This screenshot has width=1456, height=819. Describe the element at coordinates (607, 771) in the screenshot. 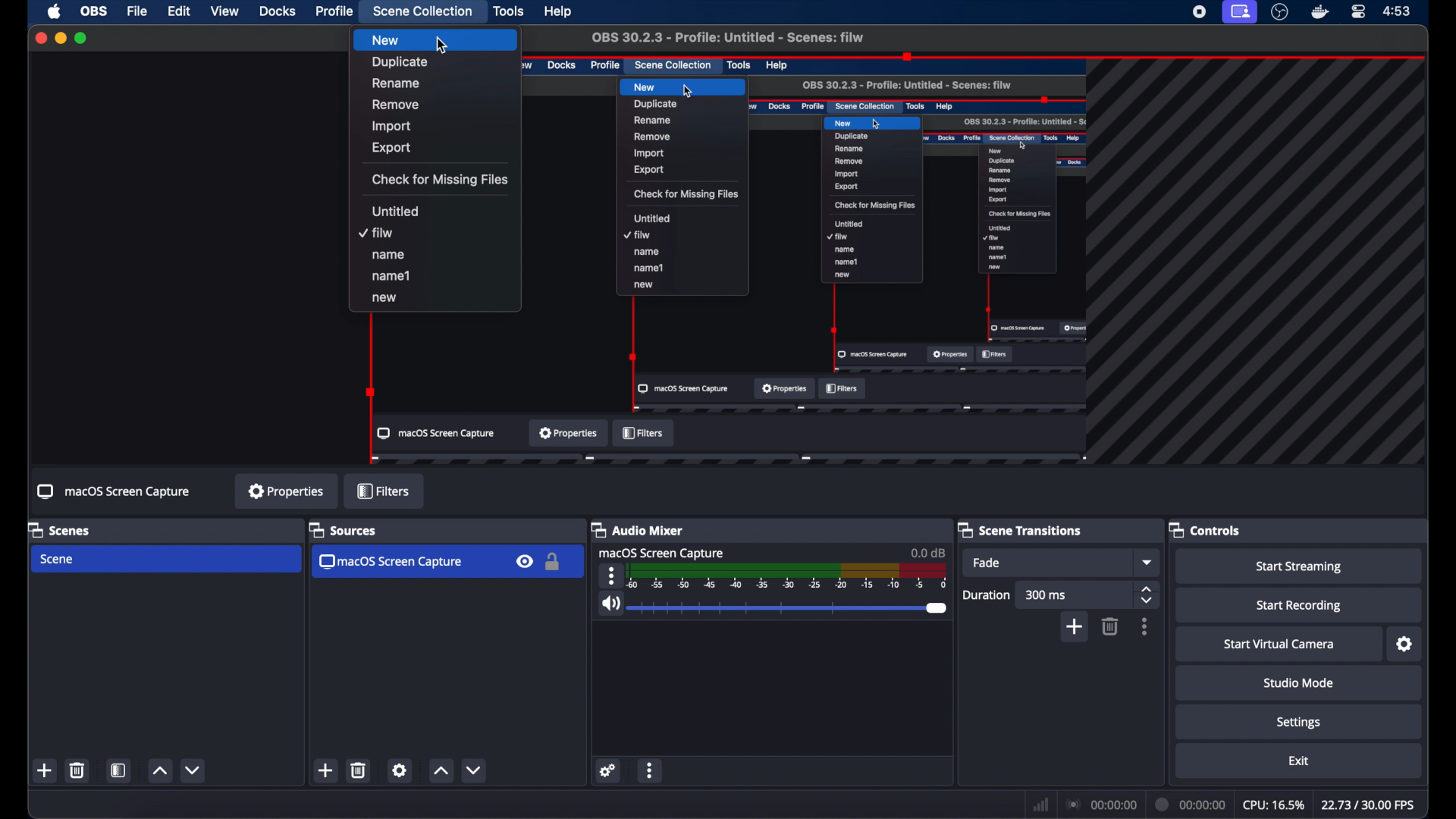

I see `settings` at that location.